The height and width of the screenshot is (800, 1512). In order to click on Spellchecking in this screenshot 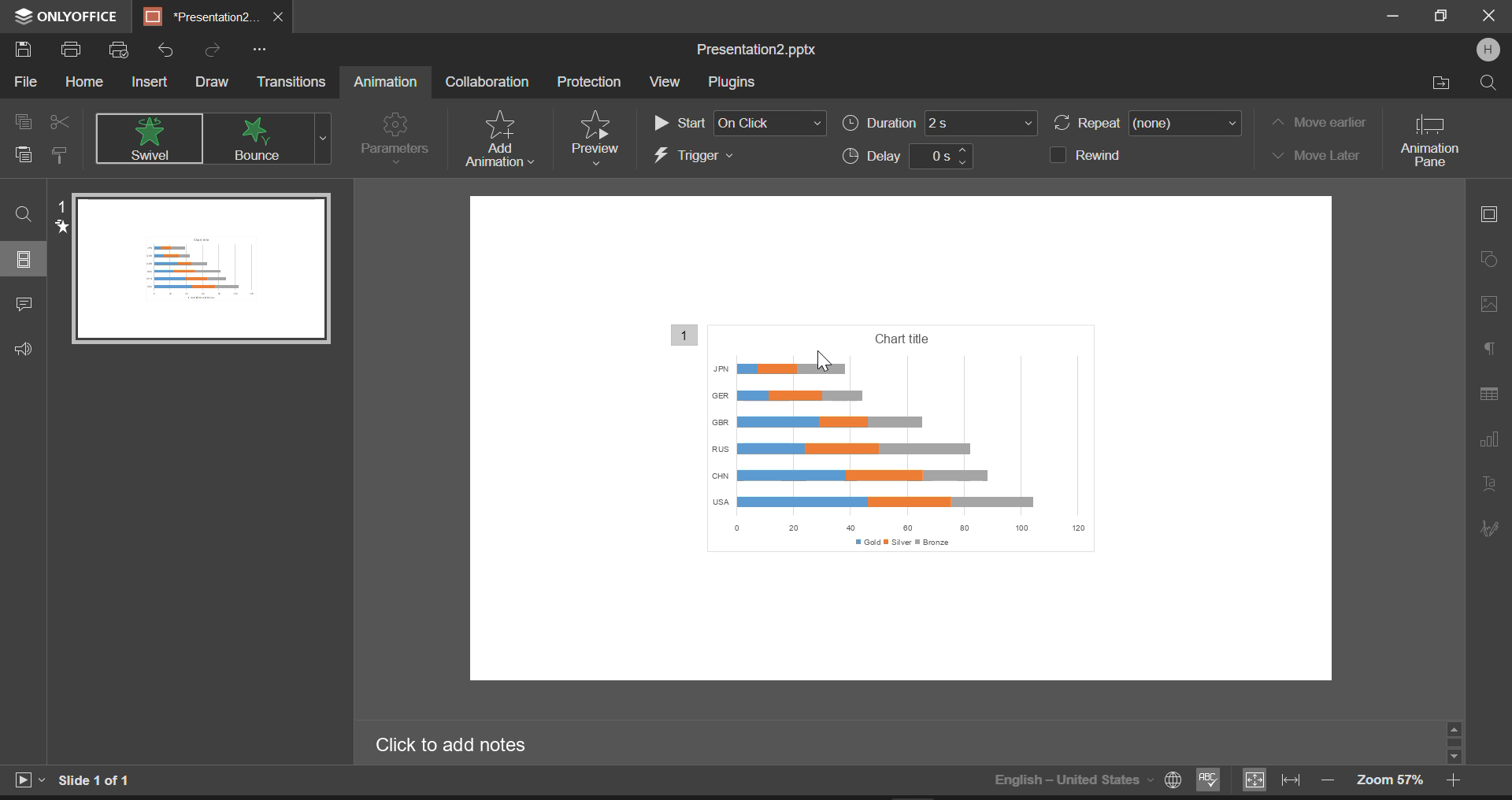, I will do `click(1209, 781)`.